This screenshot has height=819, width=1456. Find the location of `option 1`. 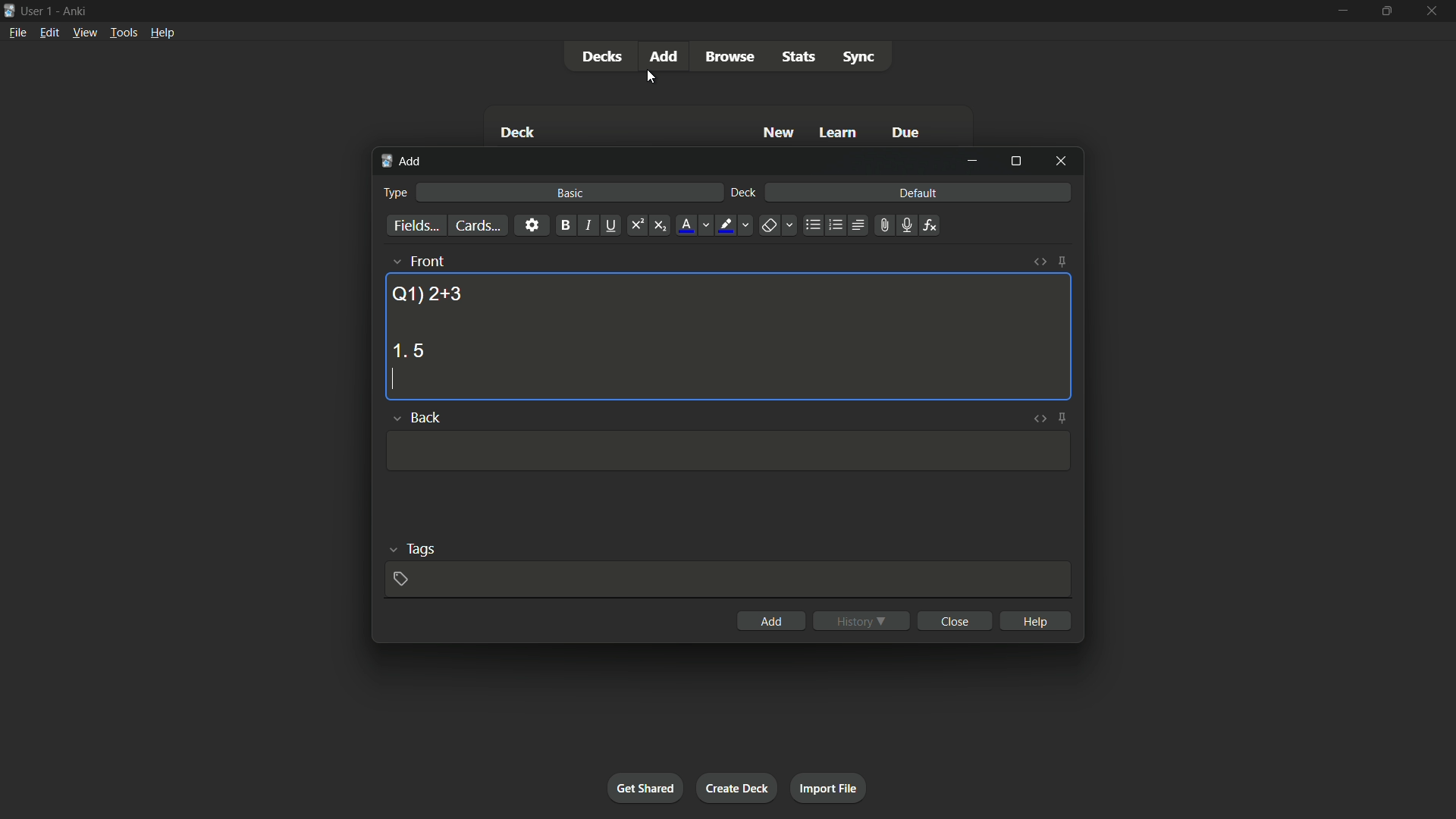

option 1 is located at coordinates (408, 350).